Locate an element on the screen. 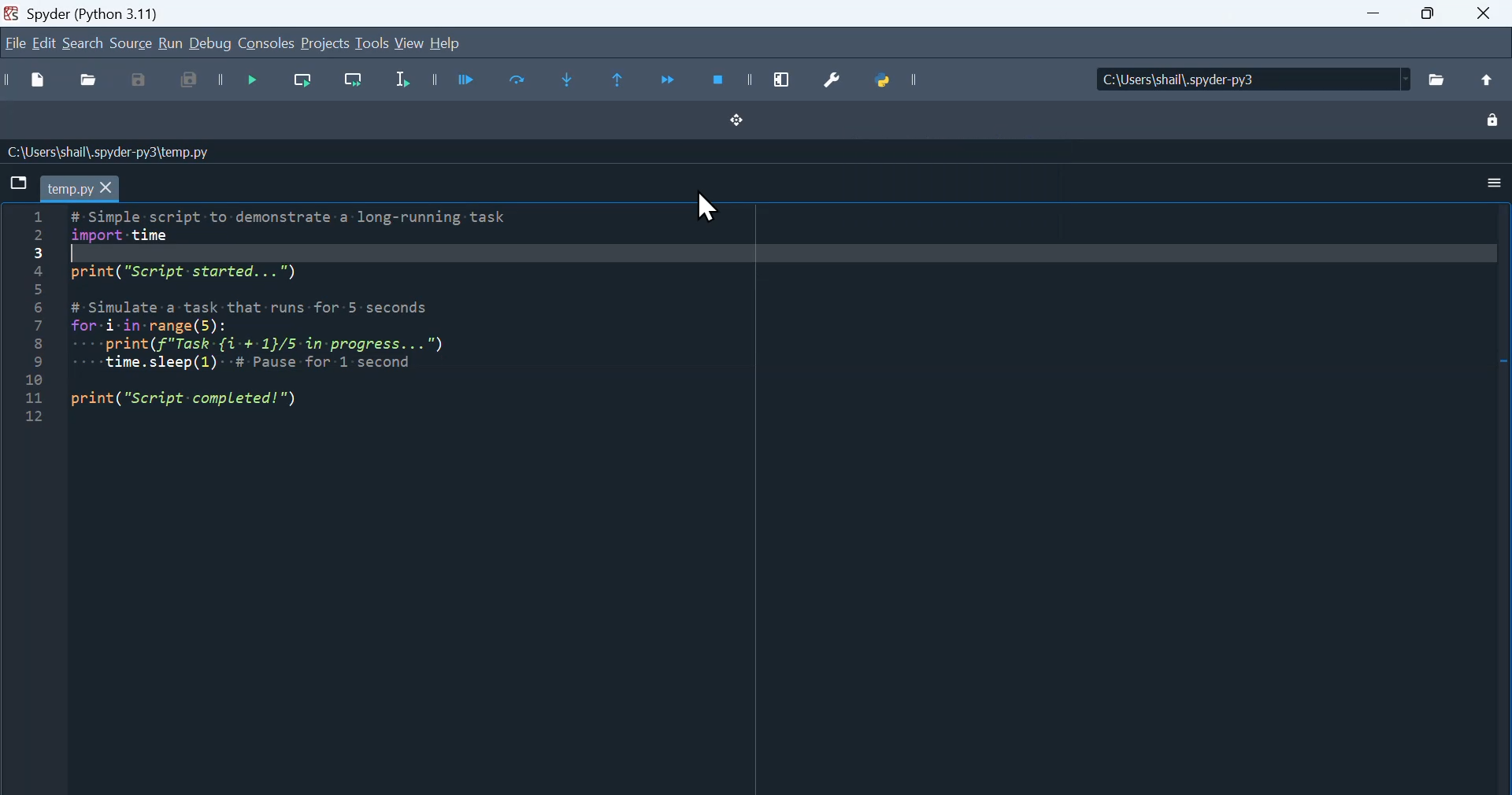  Location of the file is located at coordinates (1237, 78).